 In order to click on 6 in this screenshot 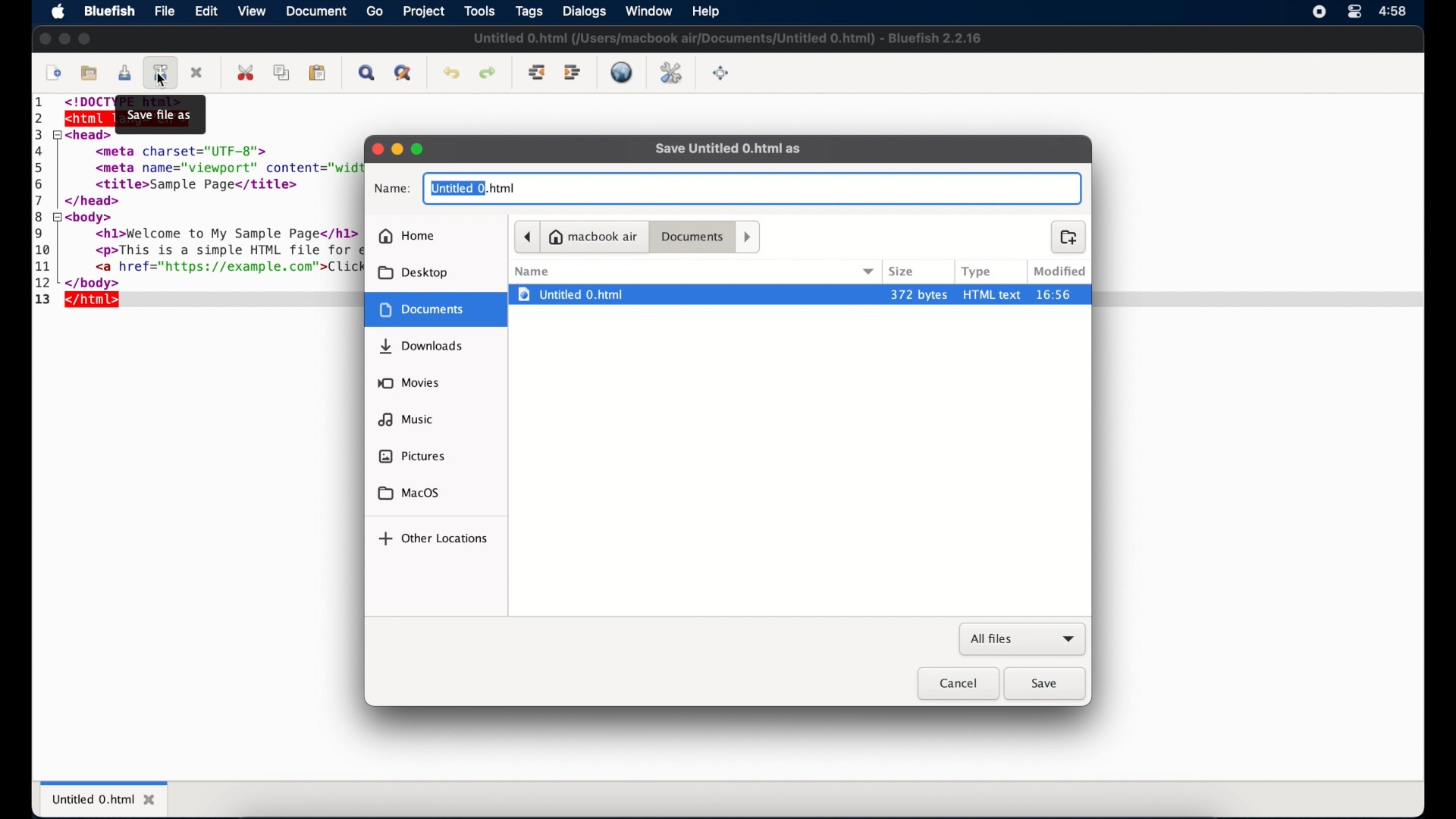, I will do `click(42, 183)`.